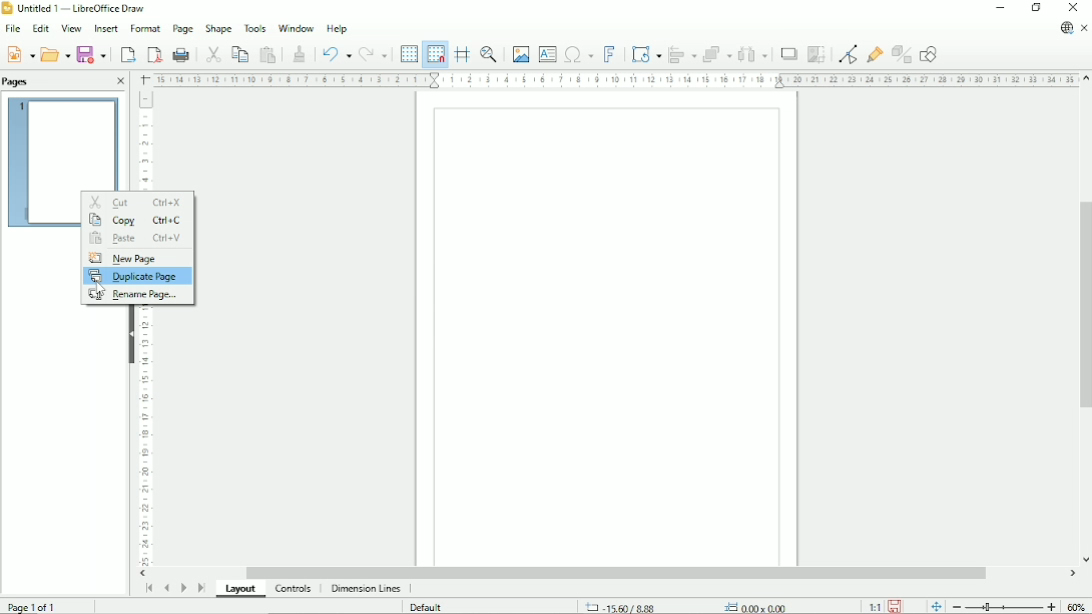  What do you see at coordinates (753, 55) in the screenshot?
I see `Distribute` at bounding box center [753, 55].